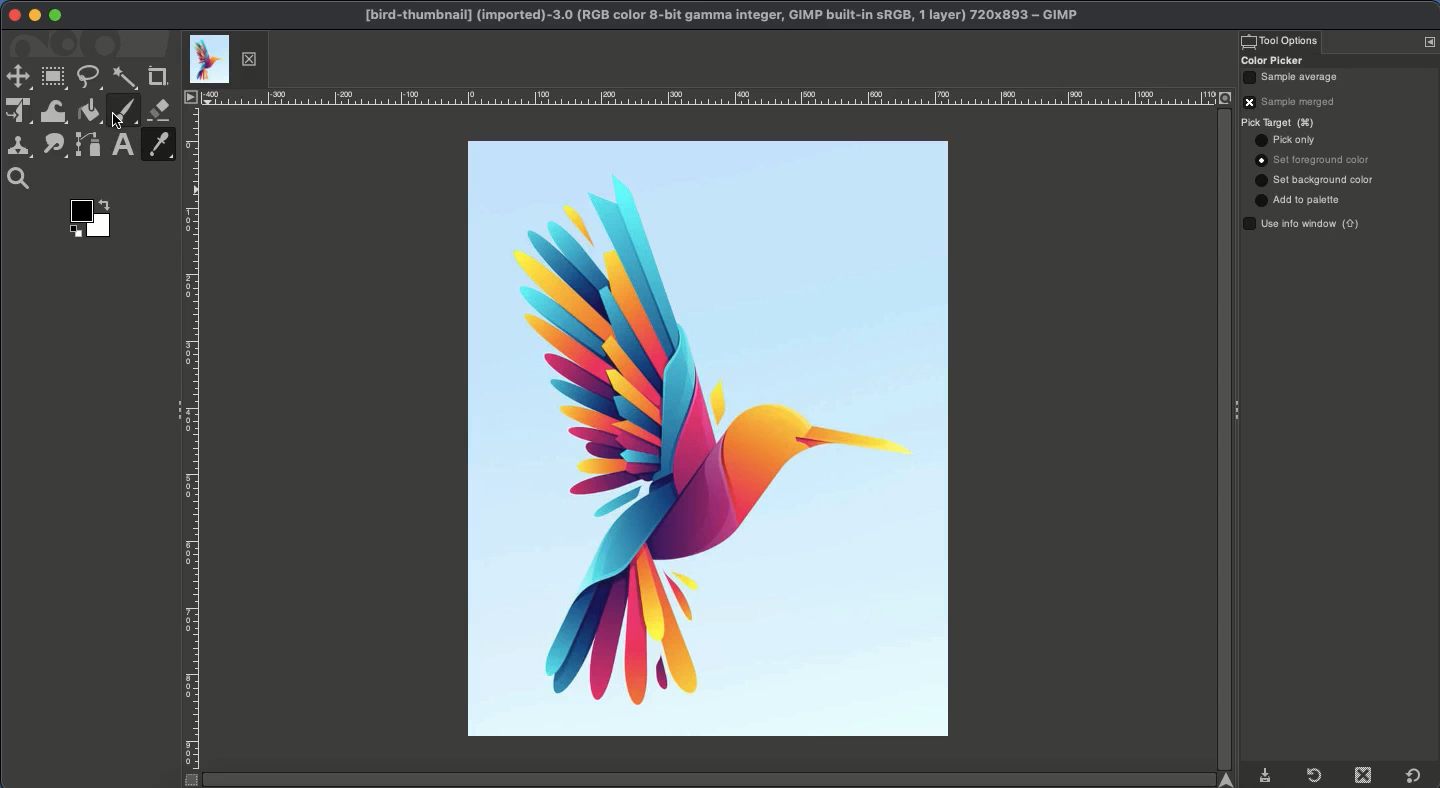  I want to click on Color, so click(95, 218).